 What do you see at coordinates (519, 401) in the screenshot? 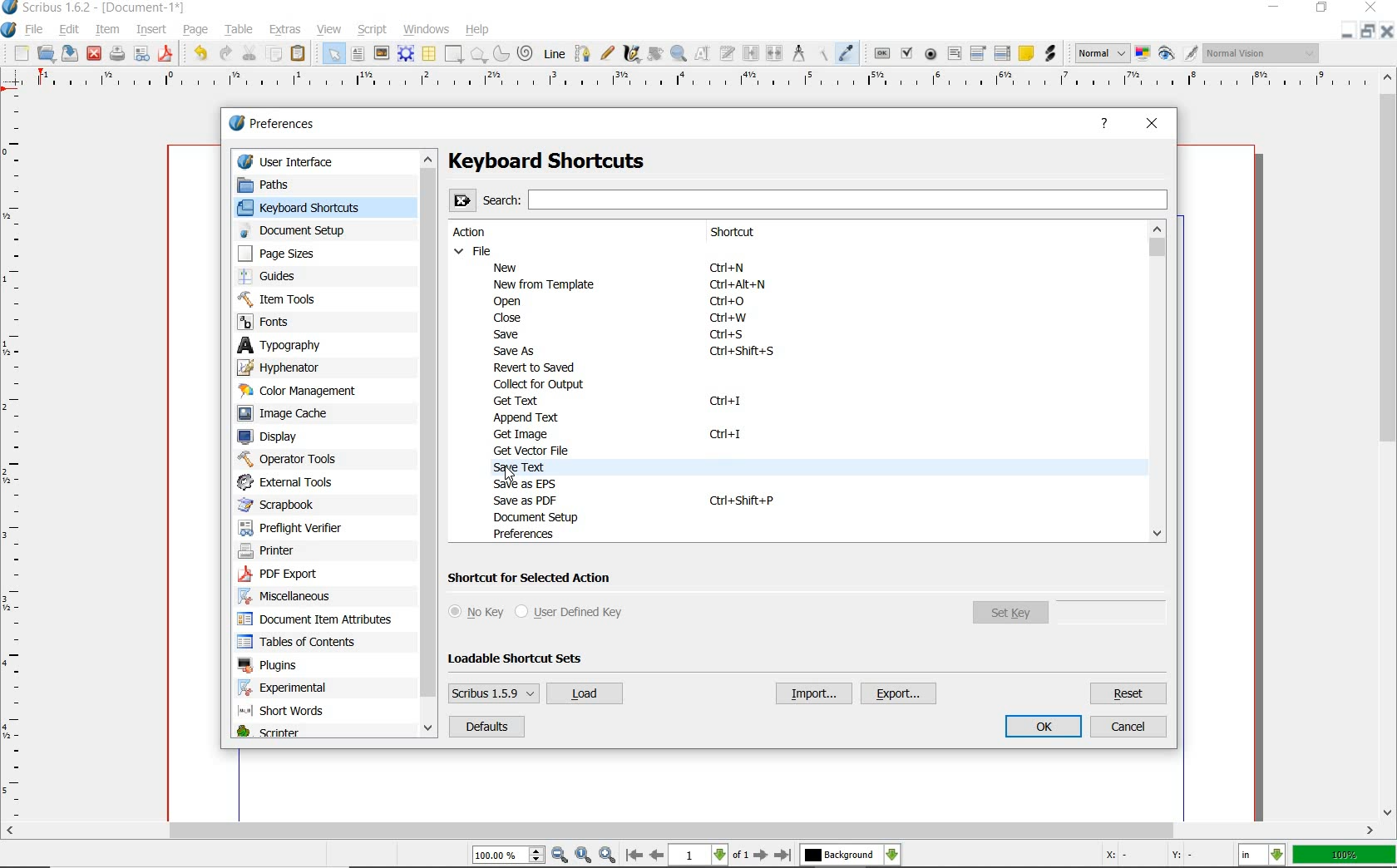
I see `get text` at bounding box center [519, 401].